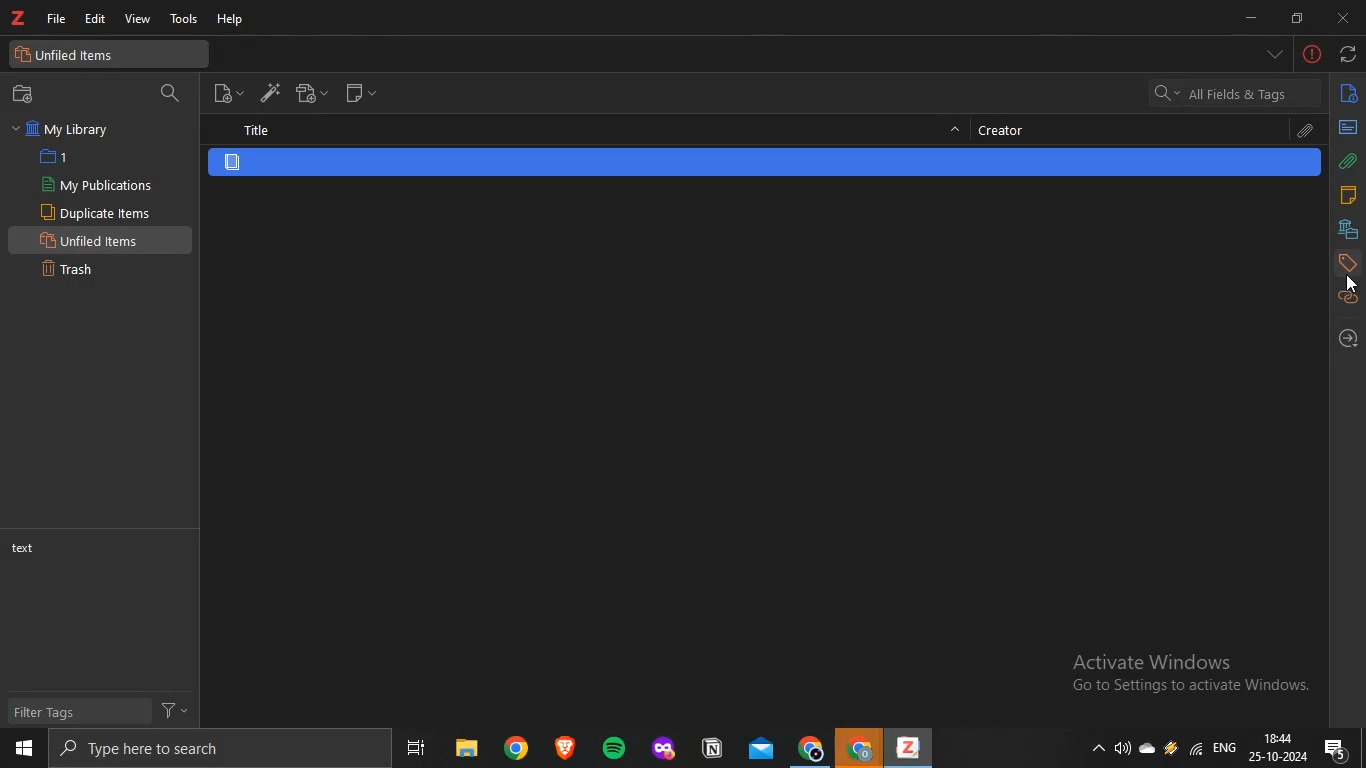 This screenshot has height=768, width=1366. What do you see at coordinates (1348, 286) in the screenshot?
I see `cursor` at bounding box center [1348, 286].